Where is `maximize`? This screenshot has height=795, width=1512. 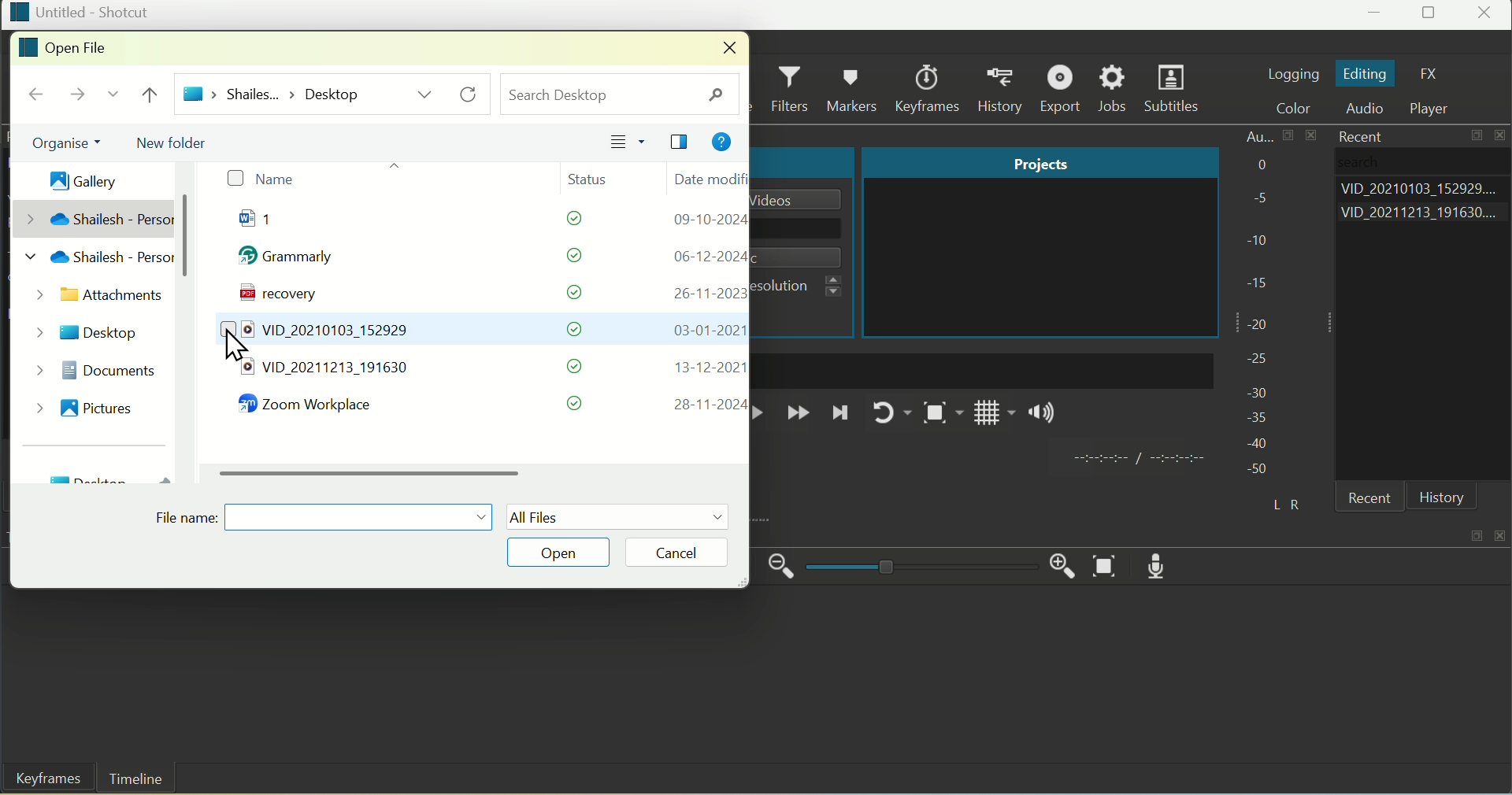
maximize is located at coordinates (1478, 138).